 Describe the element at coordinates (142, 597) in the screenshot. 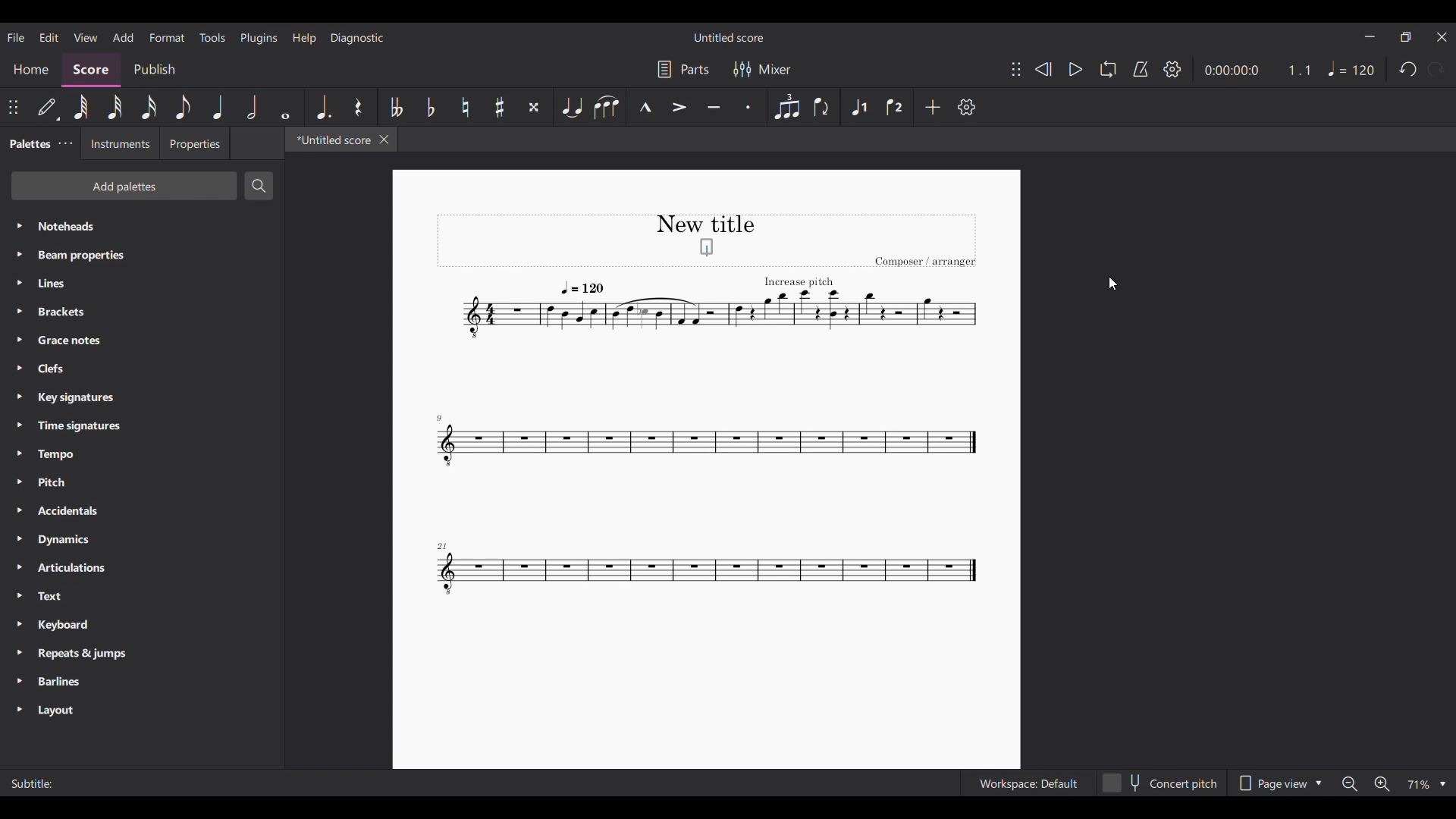

I see `Text` at that location.